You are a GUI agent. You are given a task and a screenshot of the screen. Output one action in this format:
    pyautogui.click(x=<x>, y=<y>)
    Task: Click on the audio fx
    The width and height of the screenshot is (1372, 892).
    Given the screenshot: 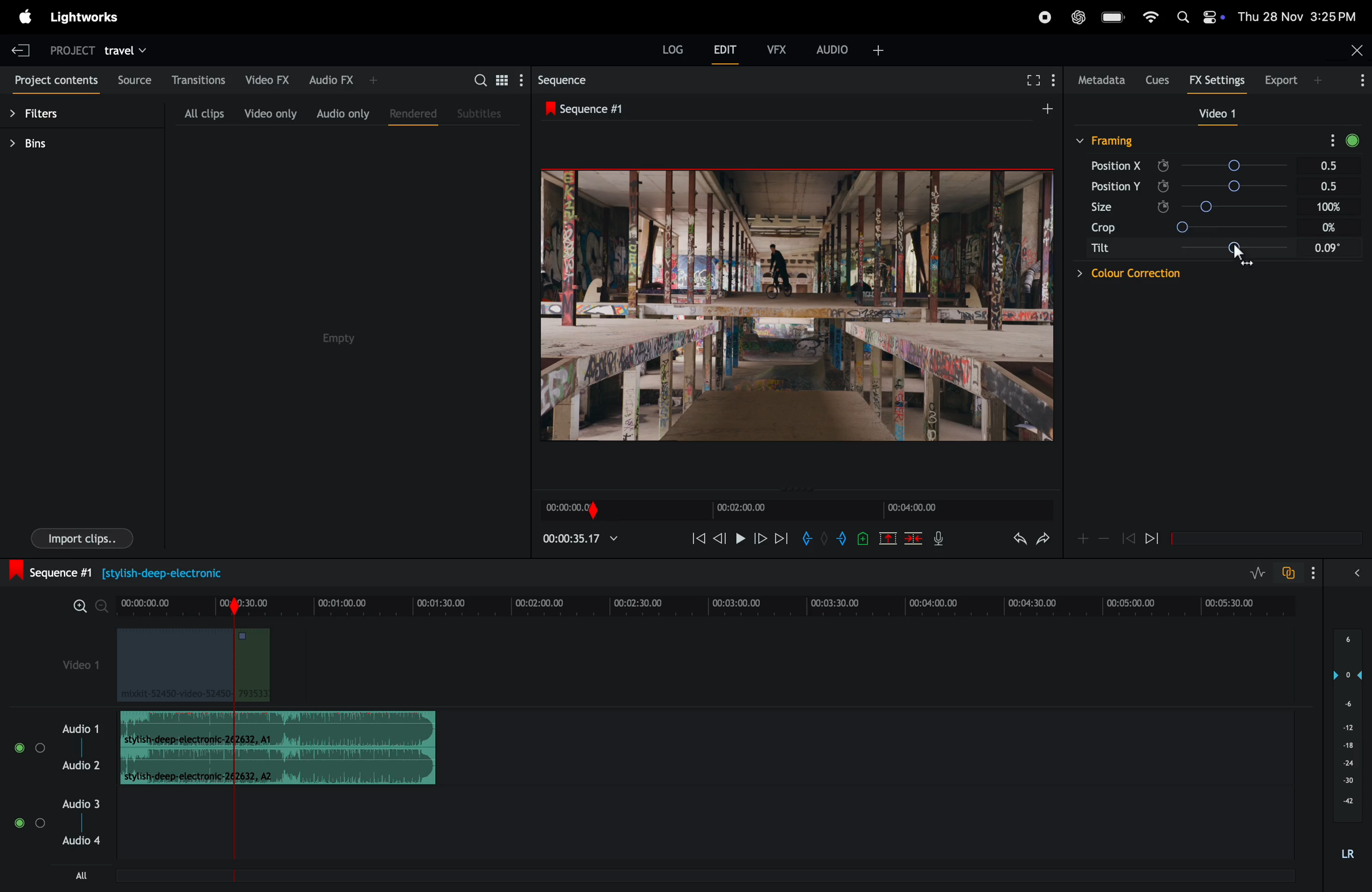 What is the action you would take?
    pyautogui.click(x=345, y=80)
    